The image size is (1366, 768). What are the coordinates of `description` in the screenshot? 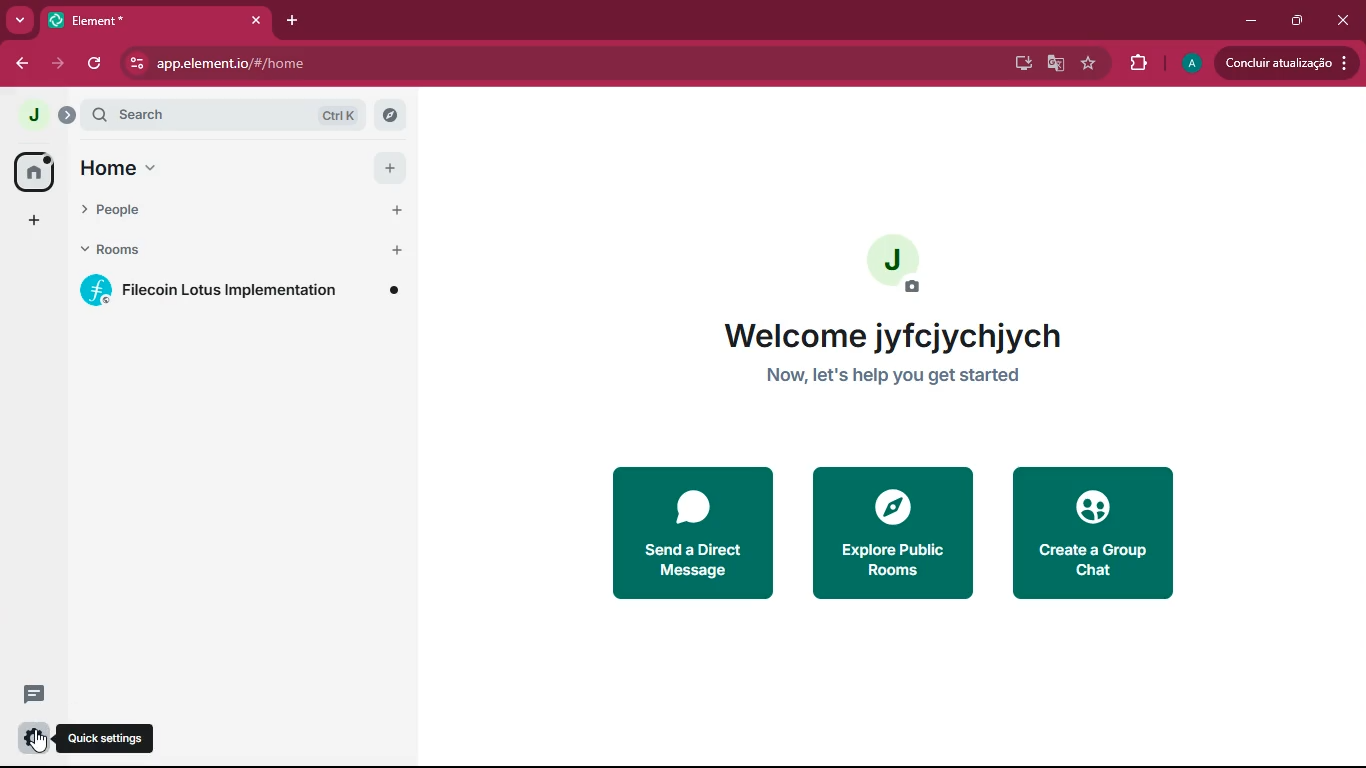 It's located at (912, 376).